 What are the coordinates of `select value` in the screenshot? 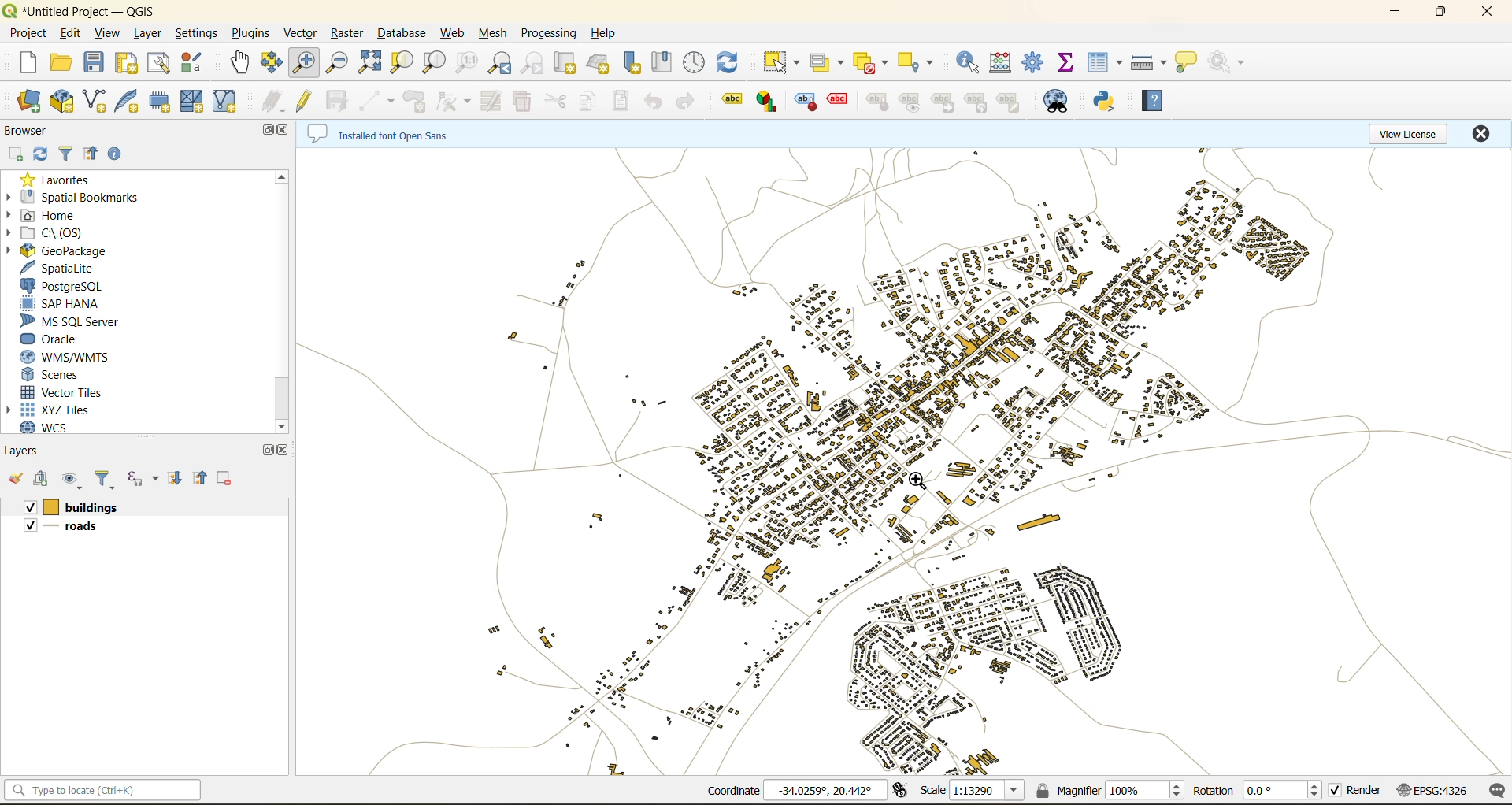 It's located at (828, 65).